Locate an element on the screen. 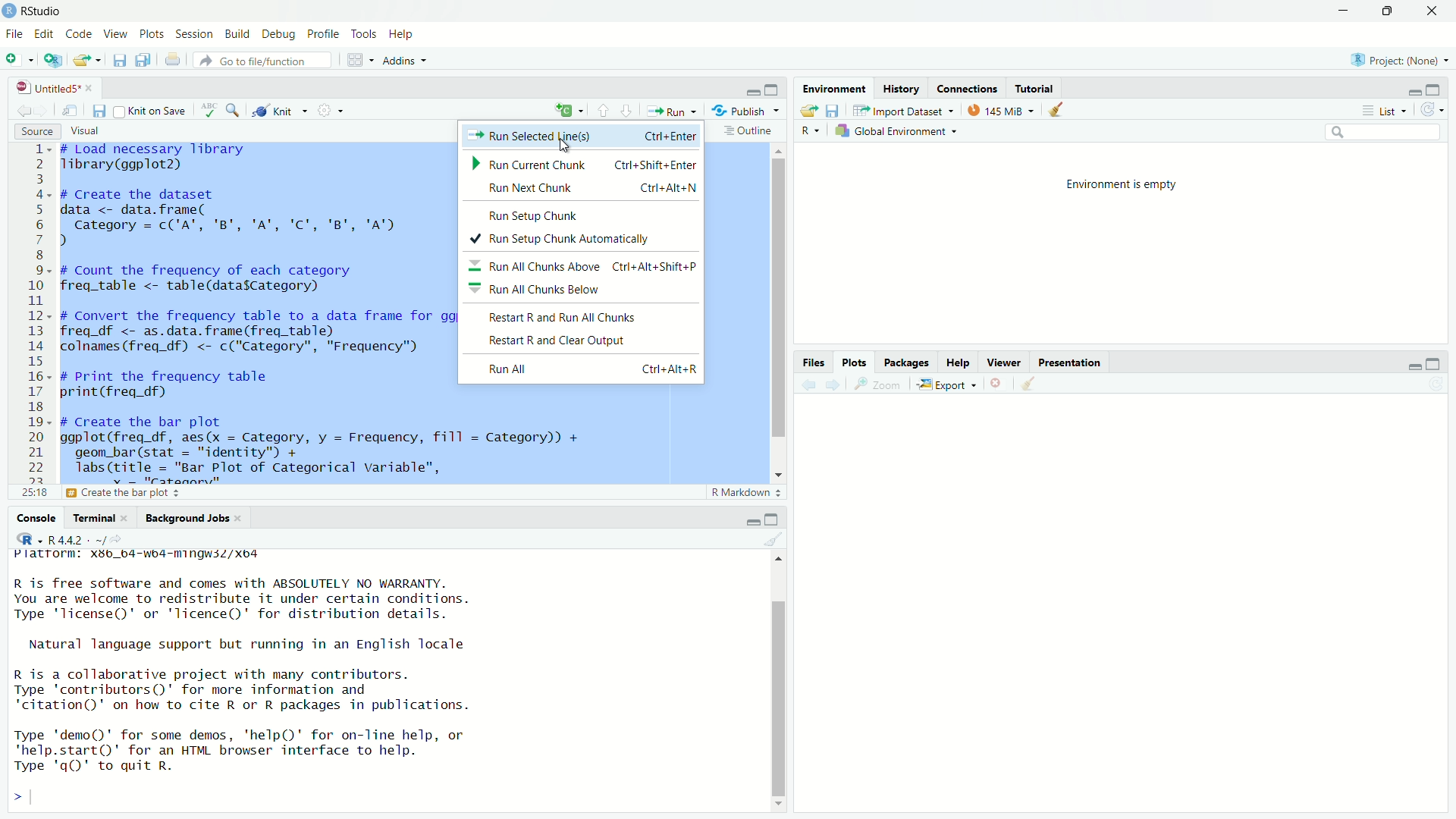 This screenshot has width=1456, height=819. insert new code chunk is located at coordinates (567, 111).